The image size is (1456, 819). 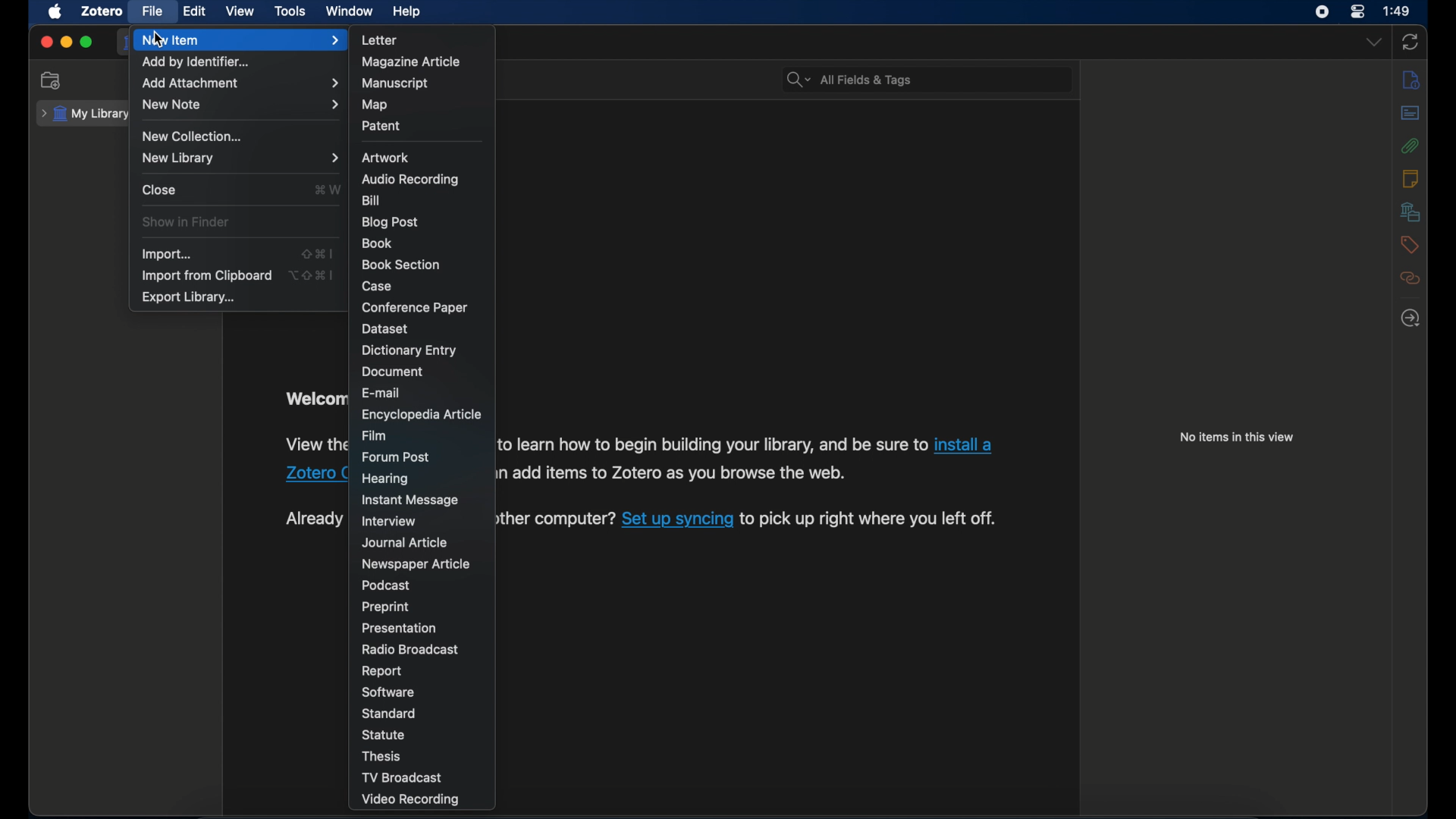 What do you see at coordinates (375, 105) in the screenshot?
I see `map` at bounding box center [375, 105].